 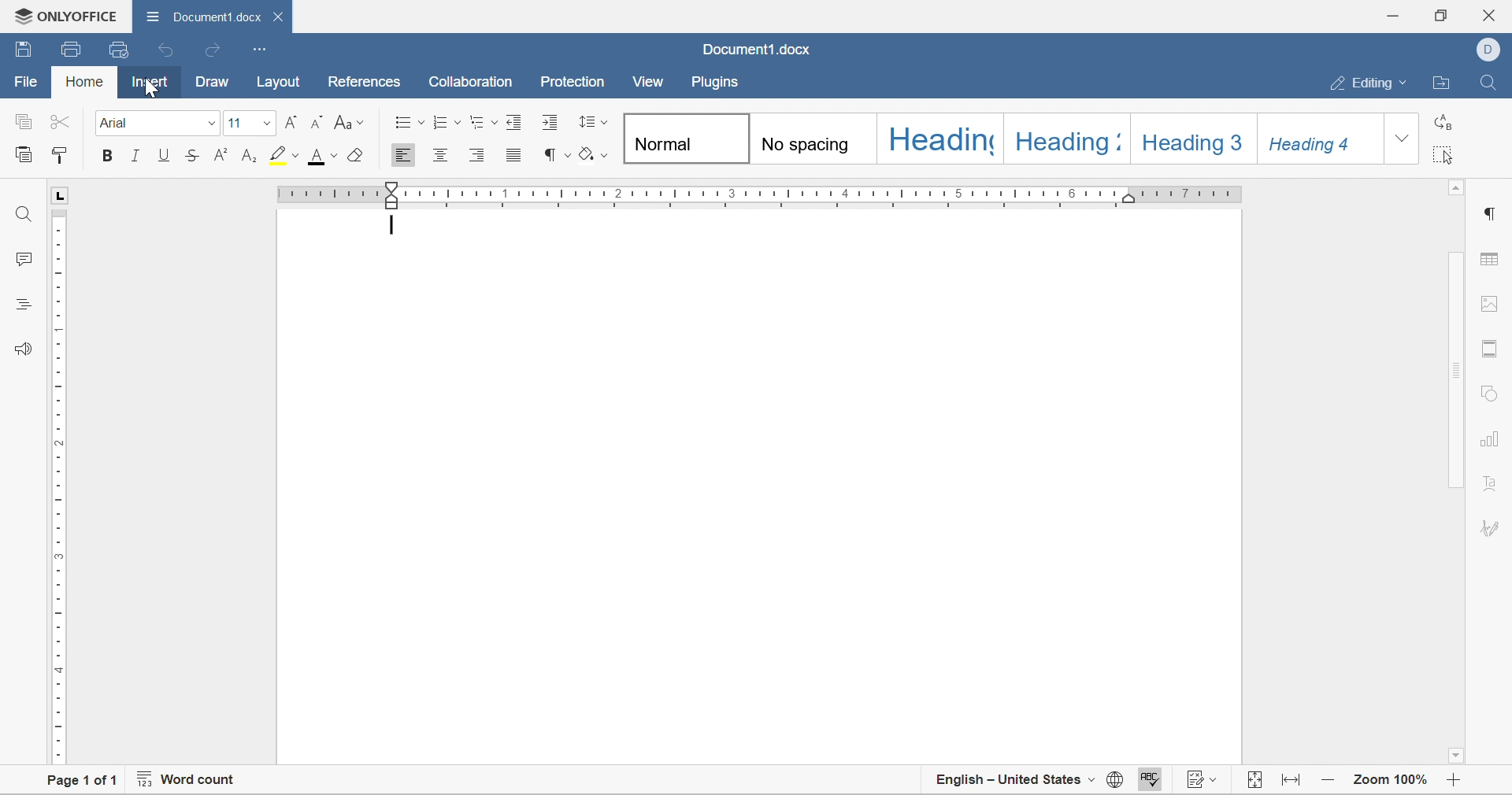 What do you see at coordinates (73, 48) in the screenshot?
I see `Print file` at bounding box center [73, 48].